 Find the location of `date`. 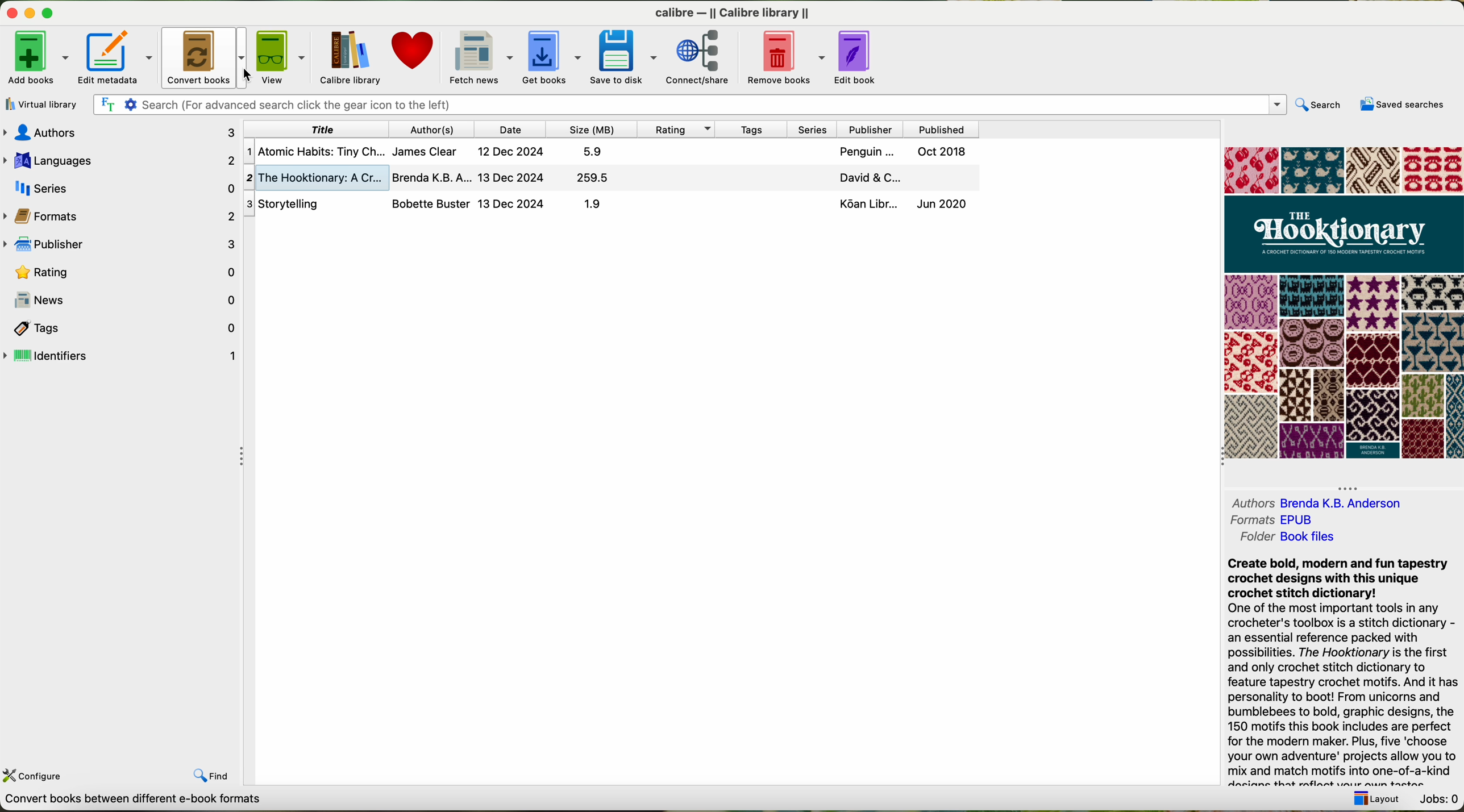

date is located at coordinates (510, 130).